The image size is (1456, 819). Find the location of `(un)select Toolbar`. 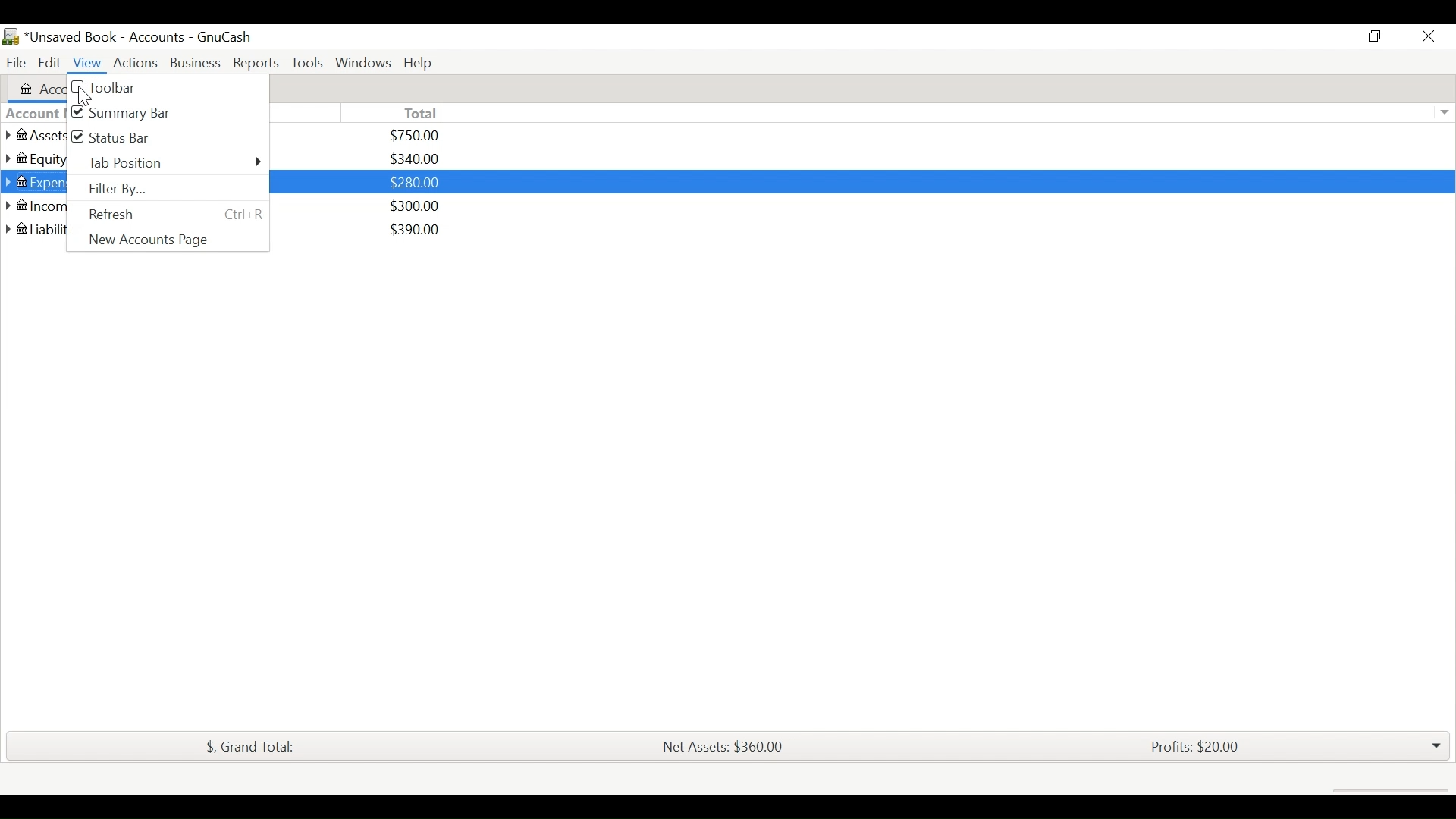

(un)select Toolbar is located at coordinates (168, 87).